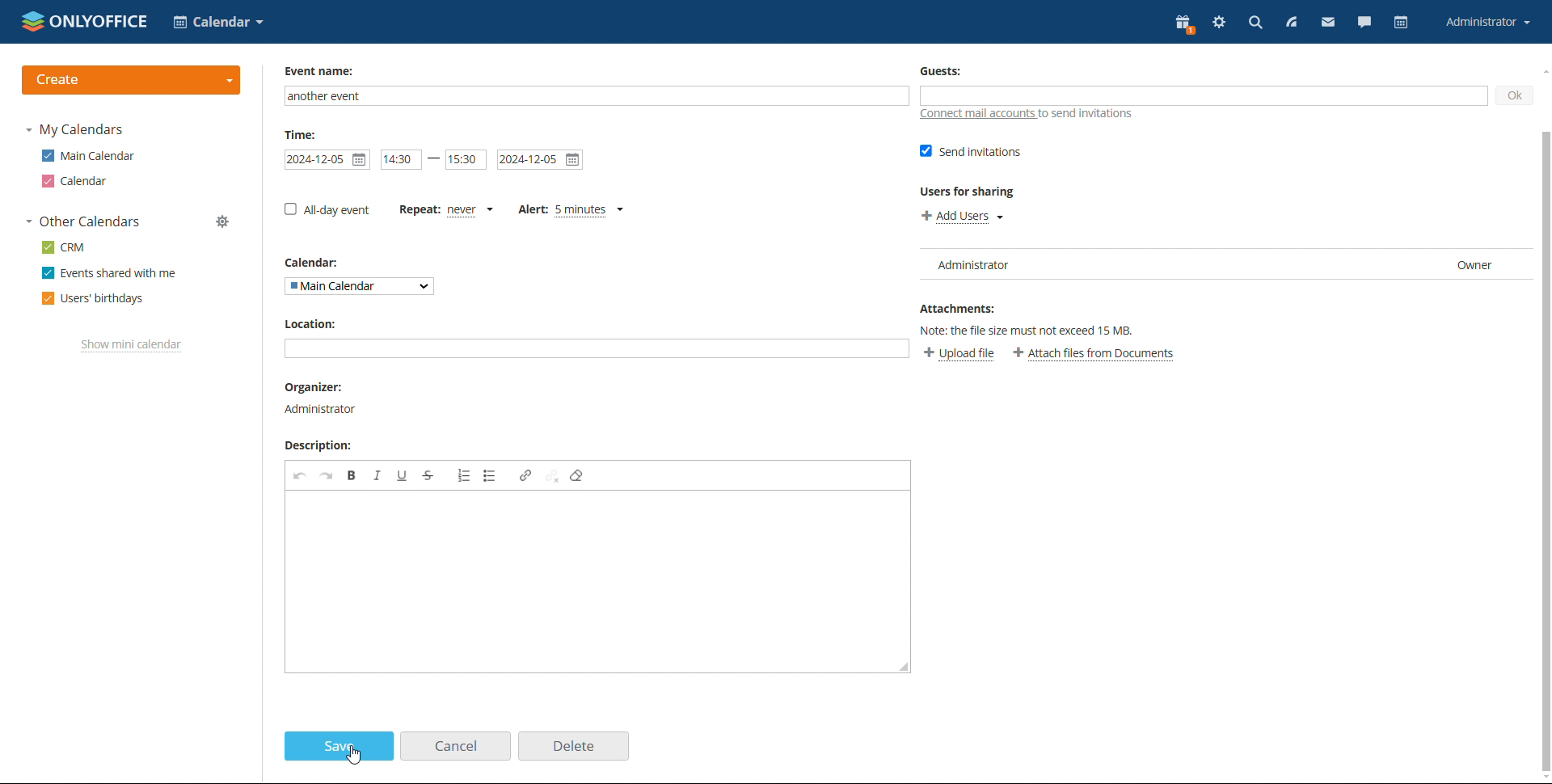  I want to click on description, so click(320, 445).